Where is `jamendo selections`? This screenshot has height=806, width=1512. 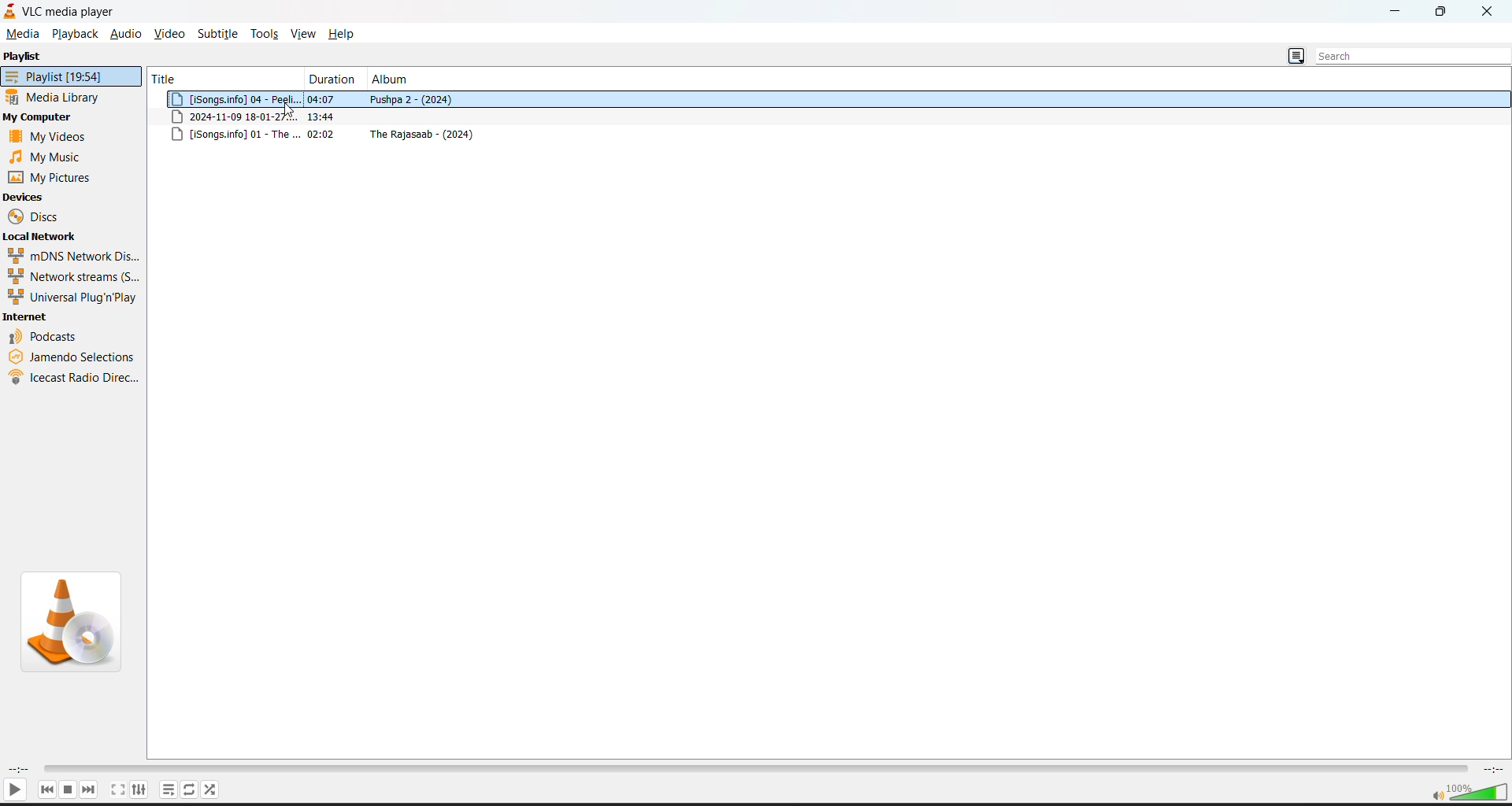
jamendo selections is located at coordinates (74, 357).